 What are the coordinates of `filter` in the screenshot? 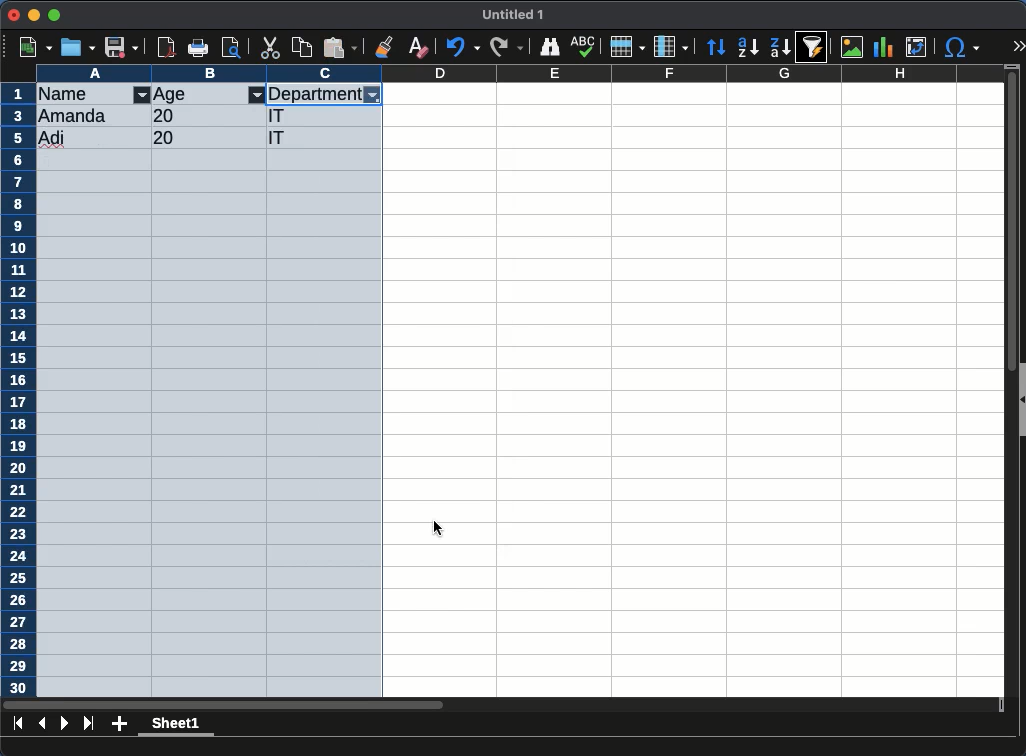 It's located at (373, 96).